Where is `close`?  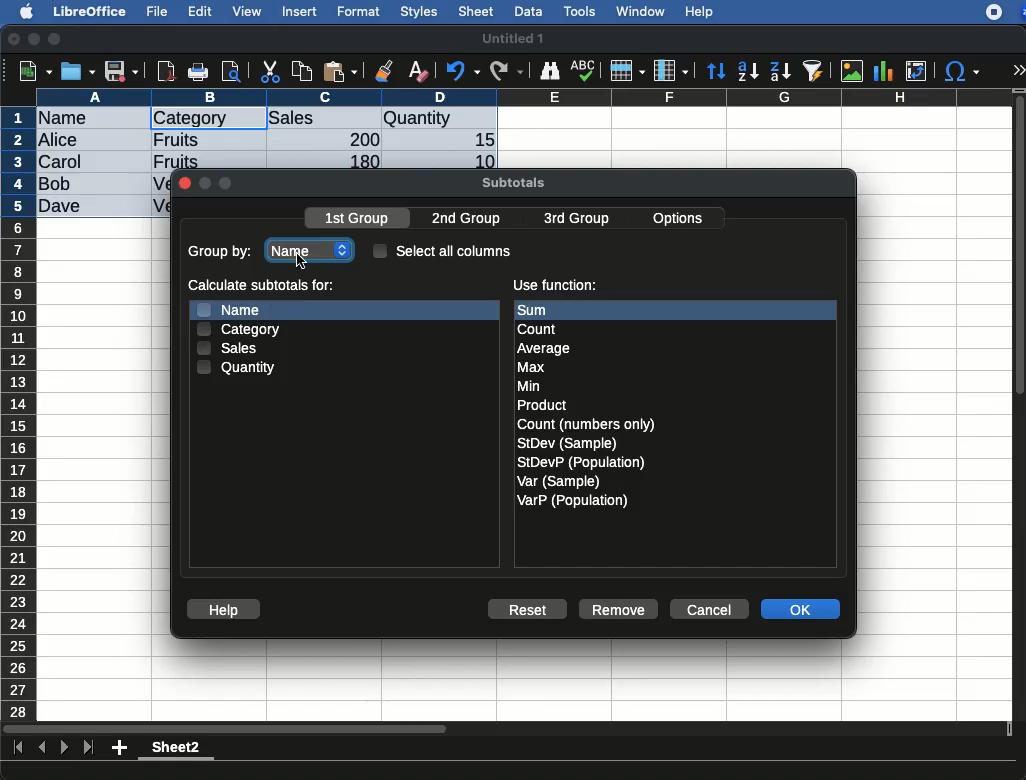
close is located at coordinates (184, 185).